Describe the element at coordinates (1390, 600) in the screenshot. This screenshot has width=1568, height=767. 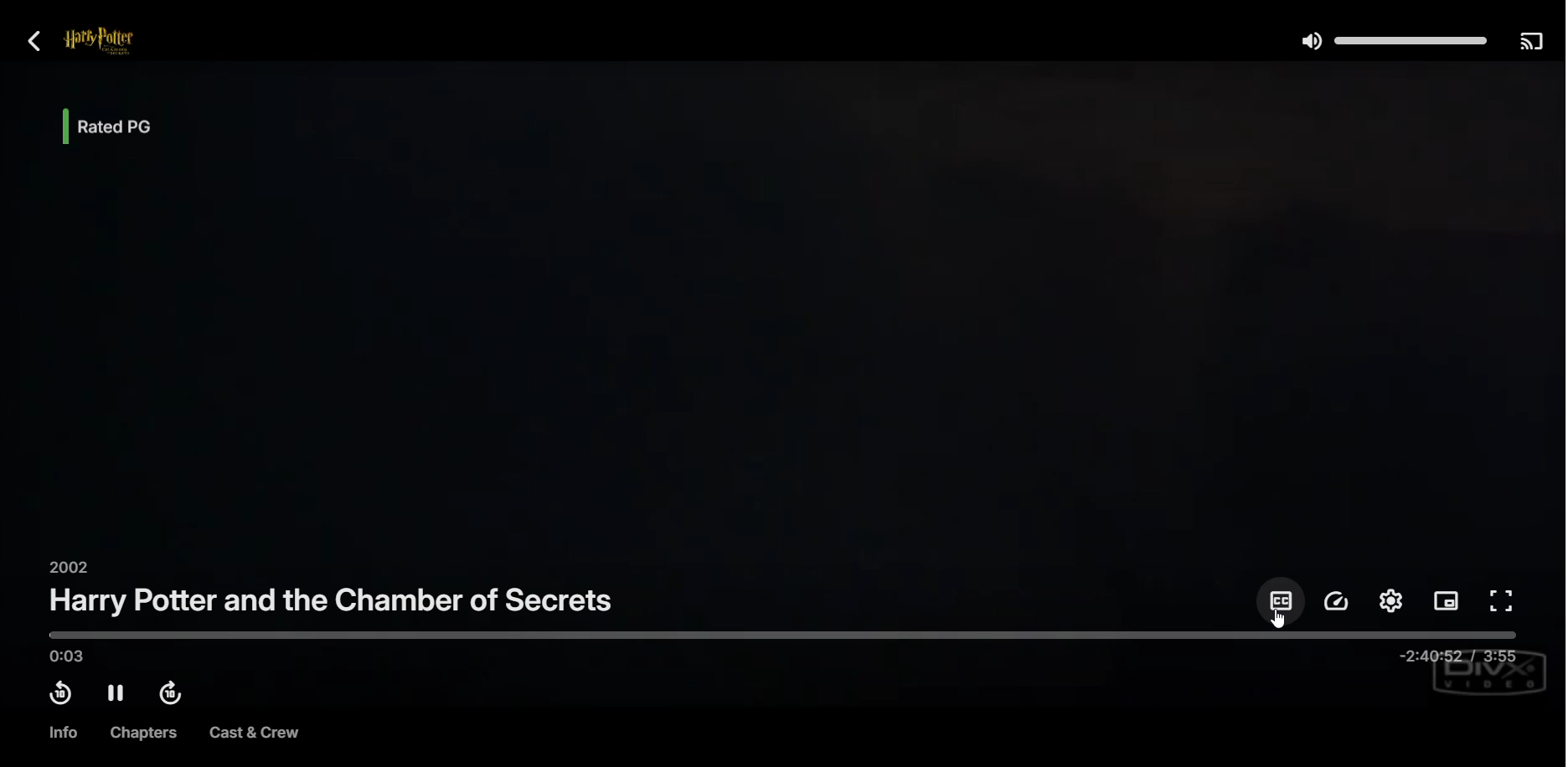
I see `Settings` at that location.